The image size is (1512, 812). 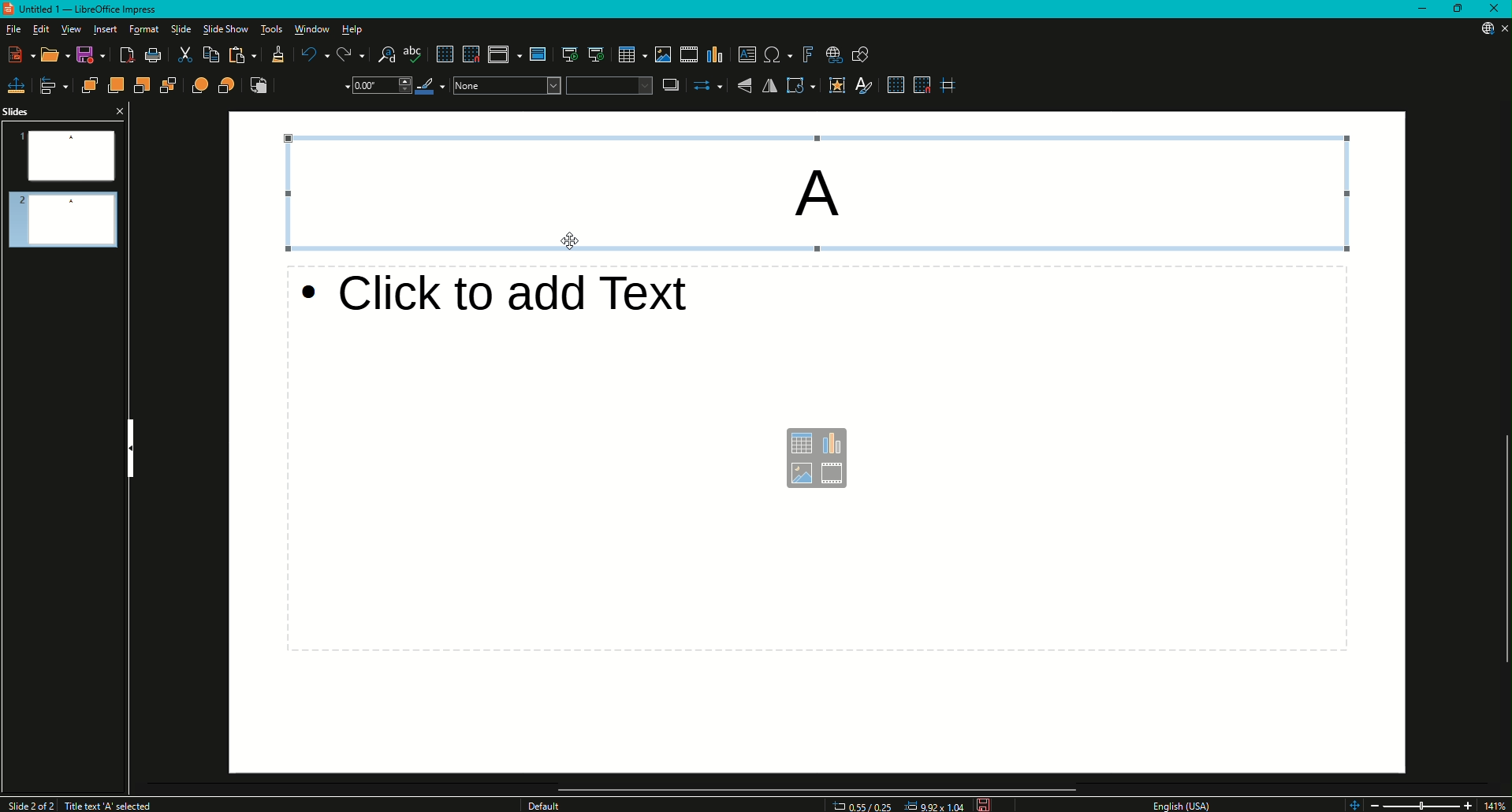 I want to click on Save, so click(x=87, y=54).